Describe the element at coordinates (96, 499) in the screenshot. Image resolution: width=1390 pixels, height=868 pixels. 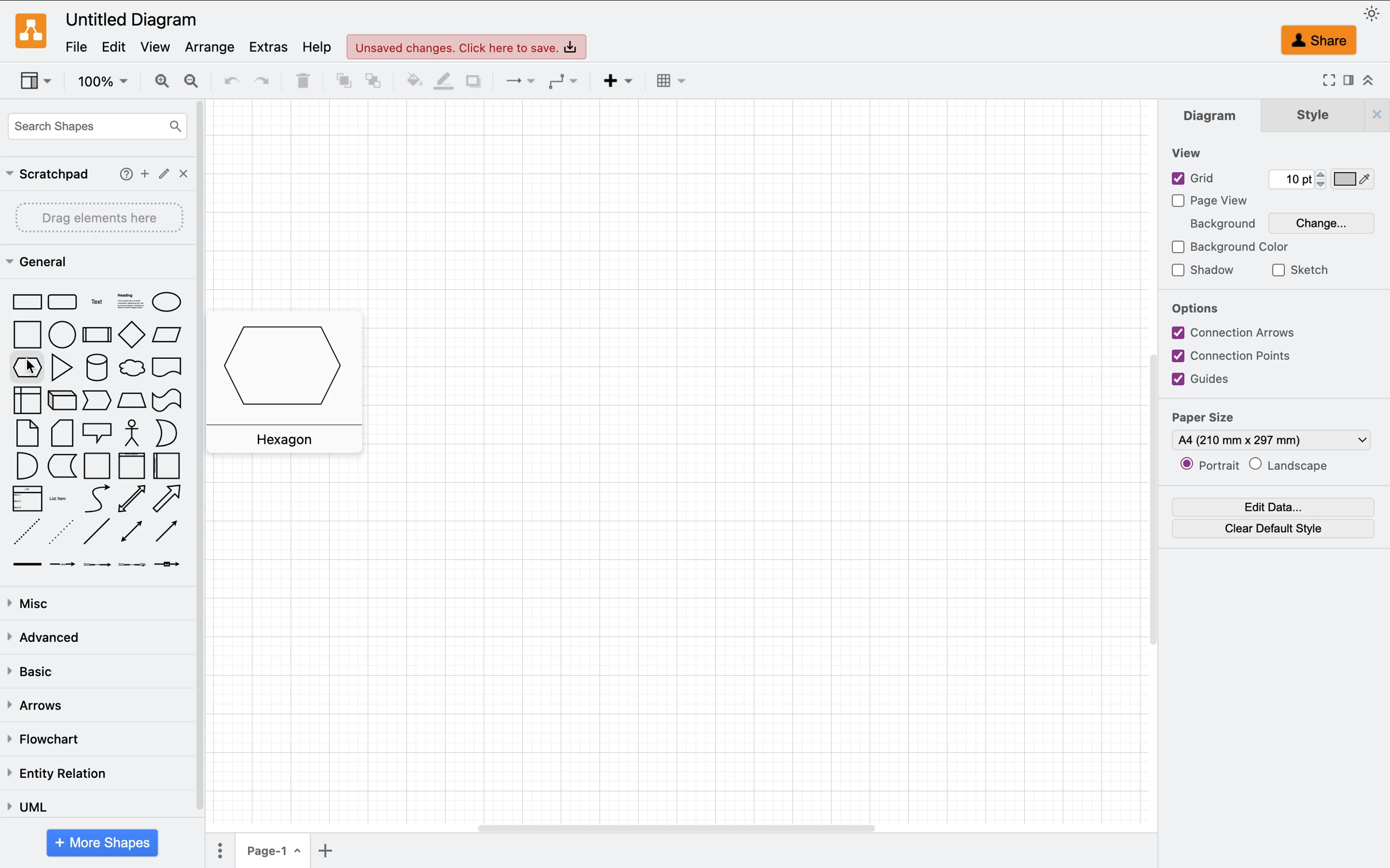
I see `curve` at that location.